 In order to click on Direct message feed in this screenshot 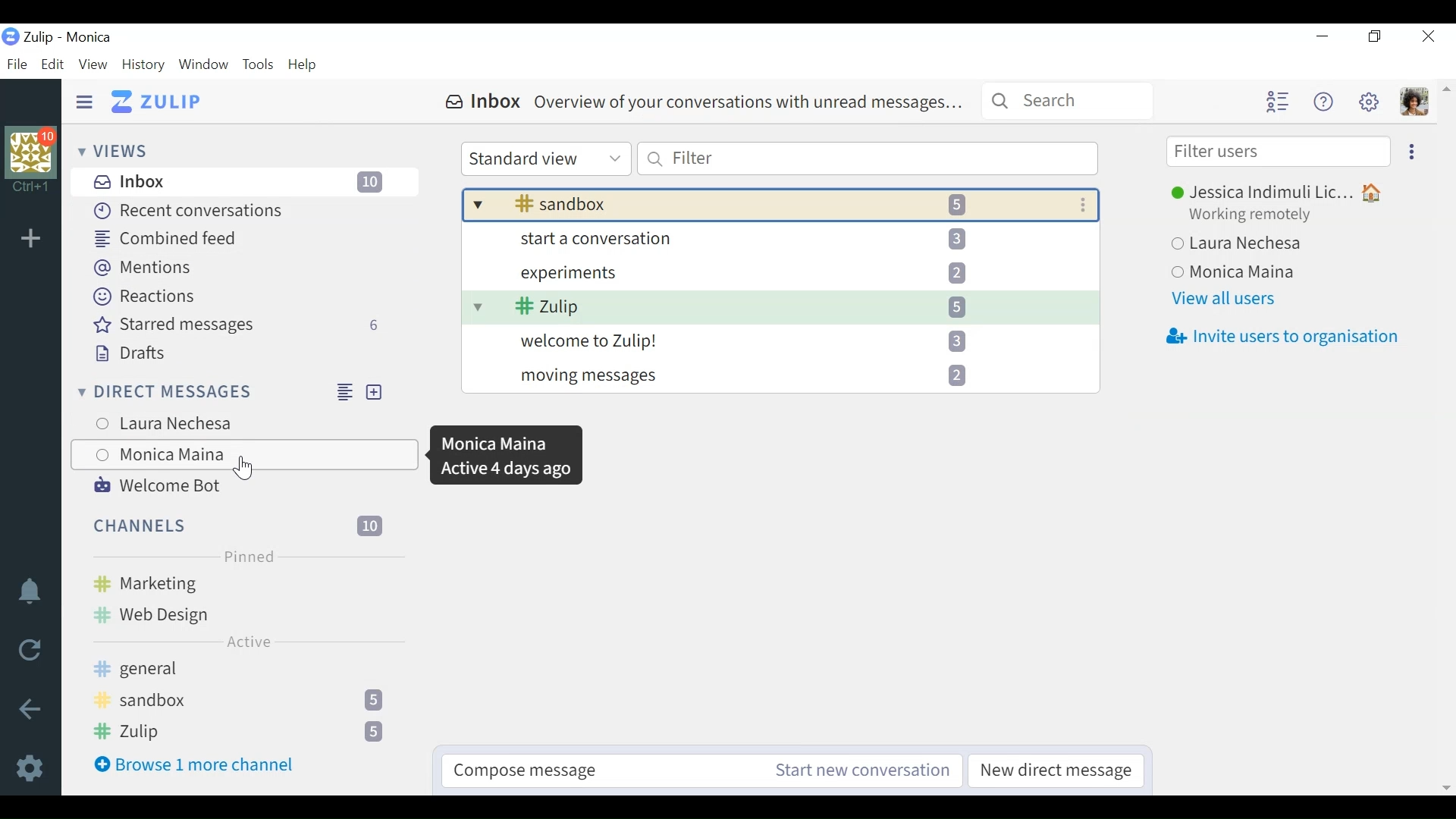, I will do `click(345, 391)`.